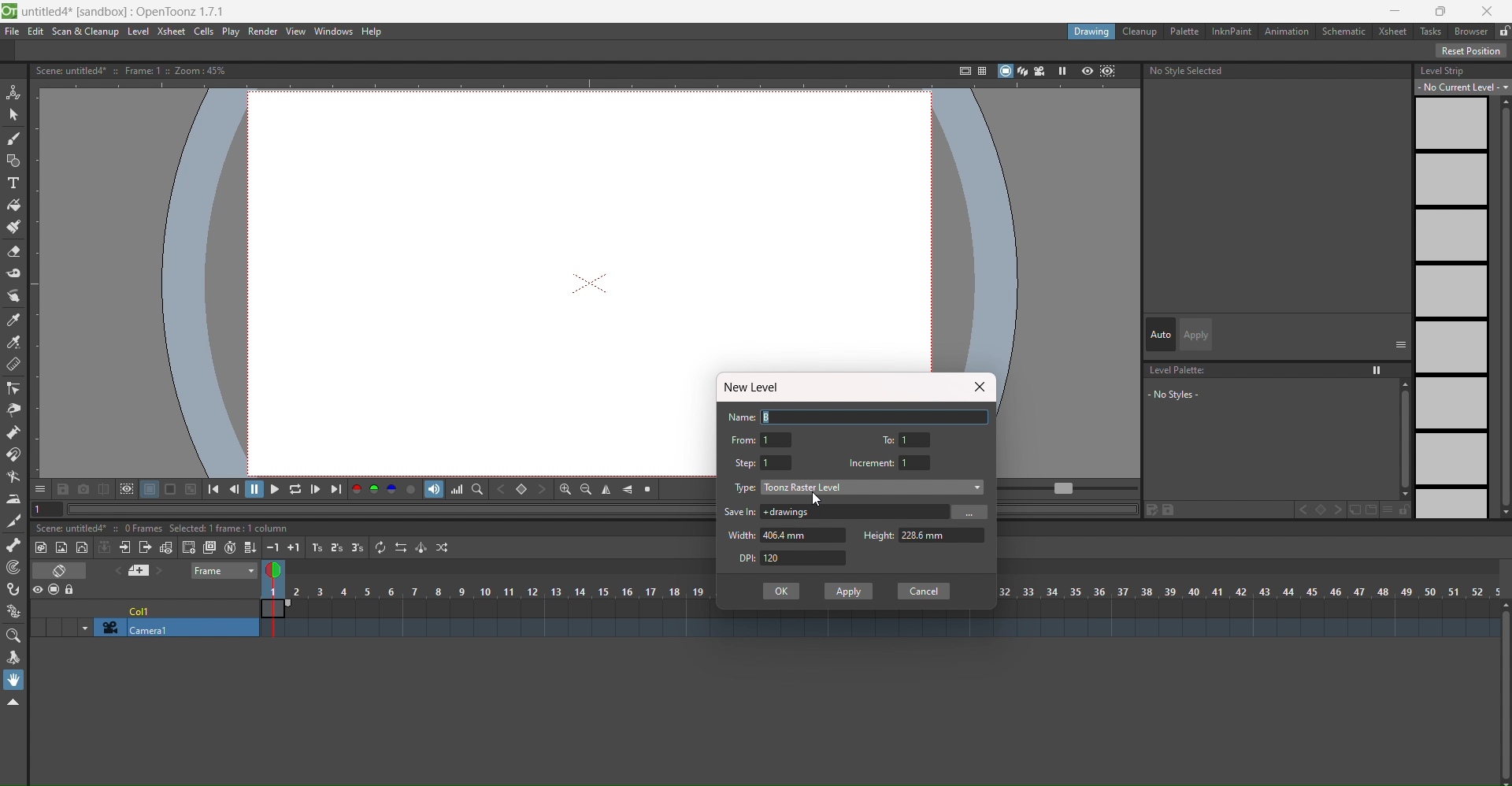 Image resolution: width=1512 pixels, height=786 pixels. What do you see at coordinates (209, 548) in the screenshot?
I see `duplicate drawing` at bounding box center [209, 548].